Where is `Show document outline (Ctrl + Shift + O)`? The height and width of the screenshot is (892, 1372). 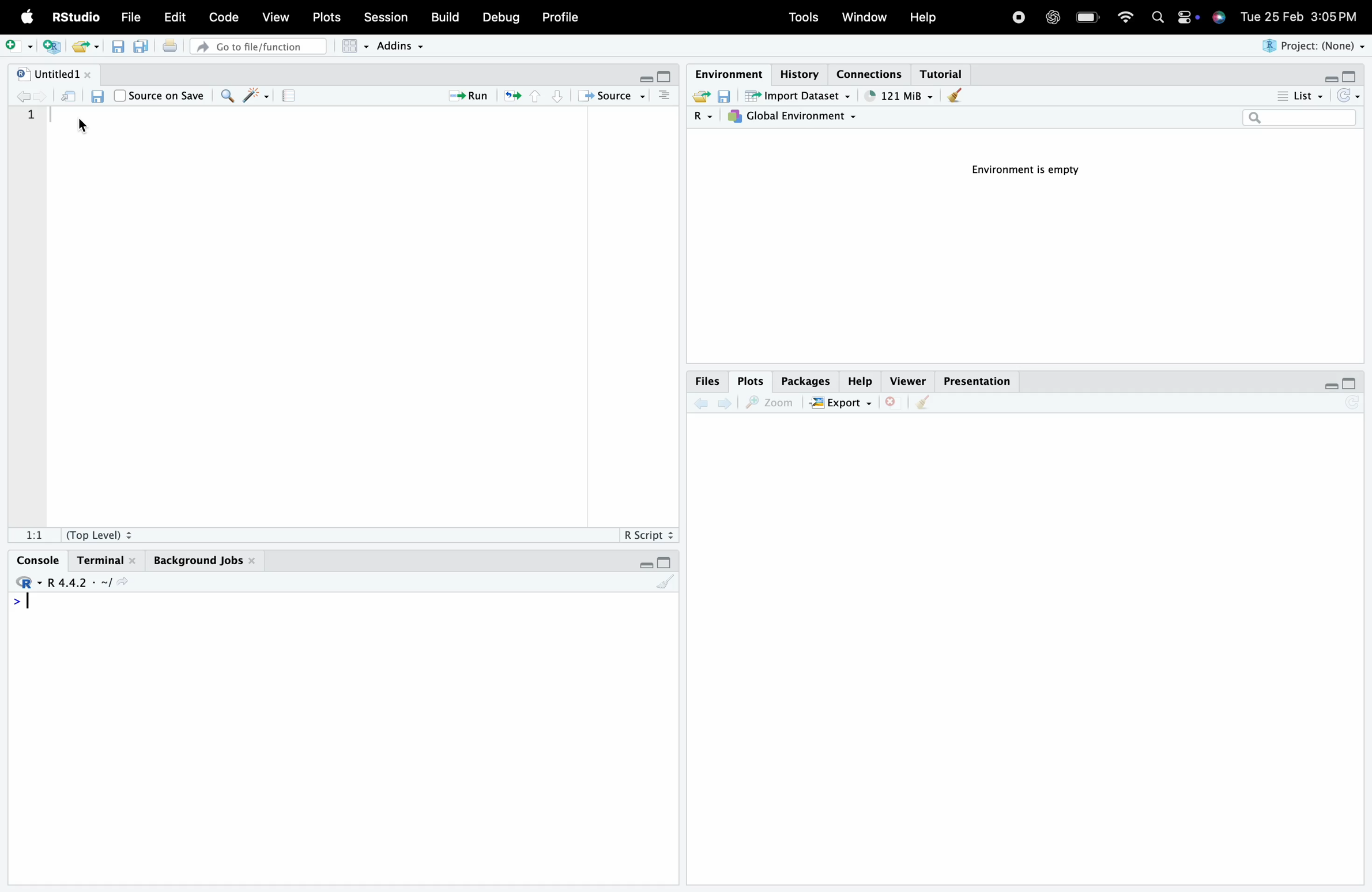
Show document outline (Ctrl + Shift + O) is located at coordinates (665, 96).